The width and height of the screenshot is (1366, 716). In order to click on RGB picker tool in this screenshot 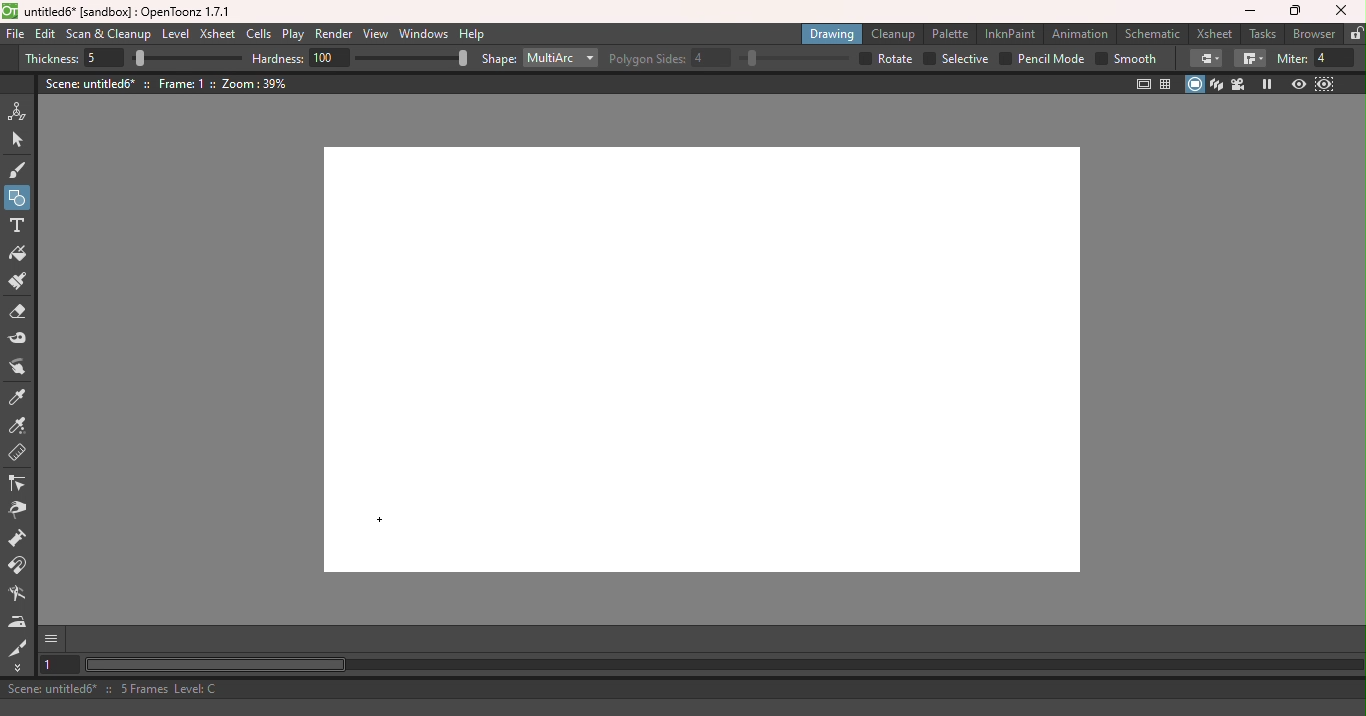, I will do `click(19, 426)`.